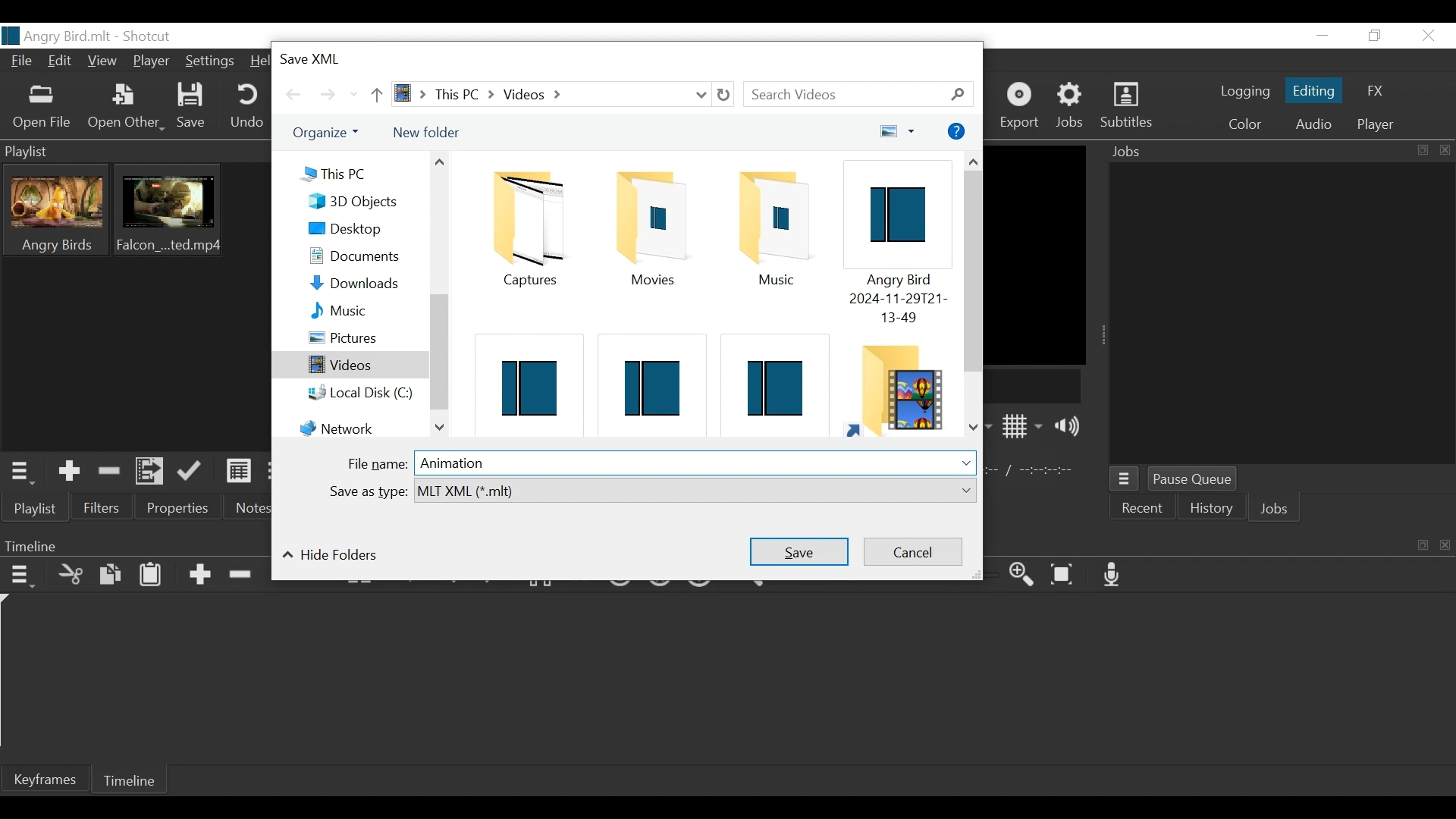  I want to click on Go forward, so click(328, 94).